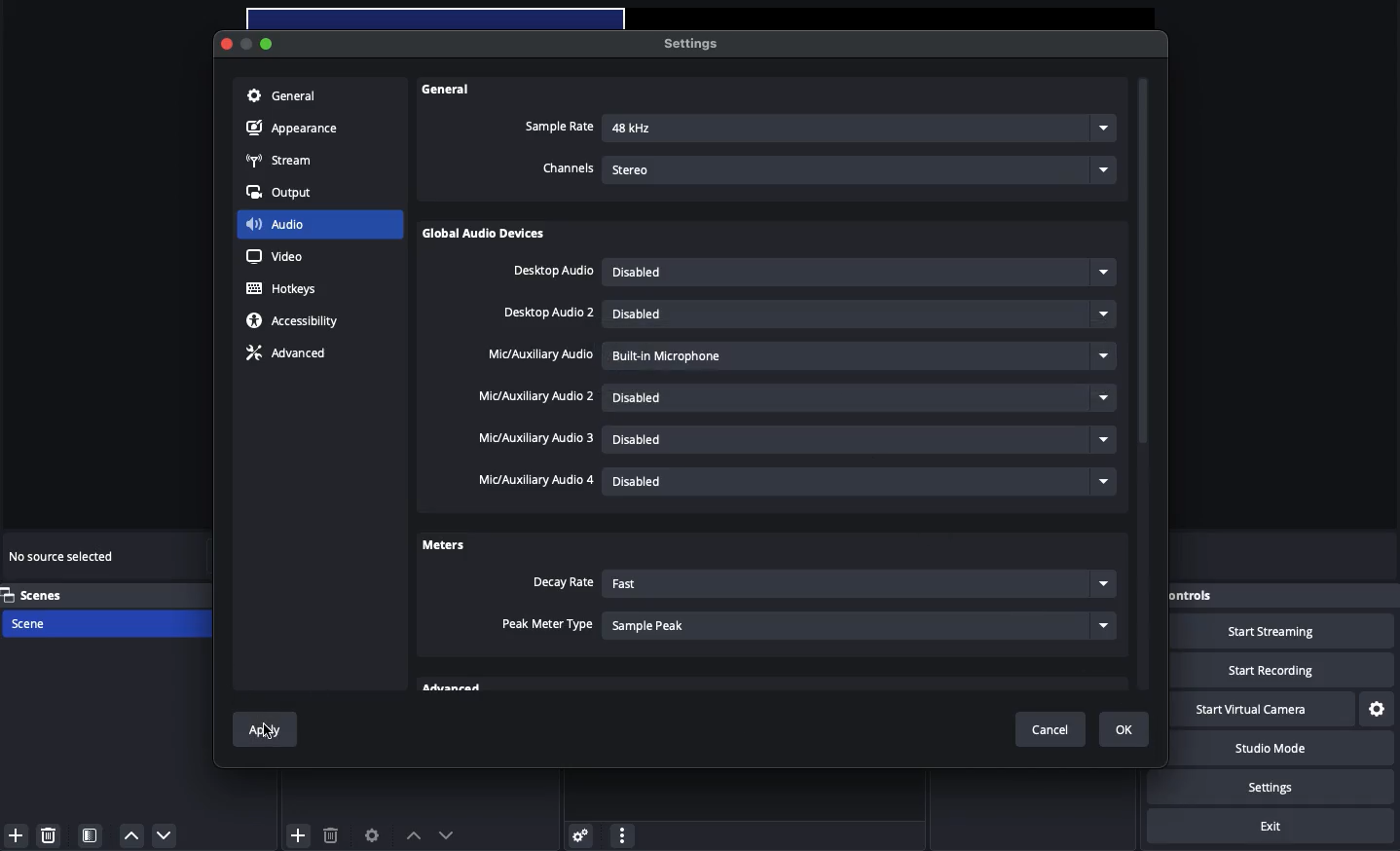 The width and height of the screenshot is (1400, 851). What do you see at coordinates (1220, 596) in the screenshot?
I see `Controls` at bounding box center [1220, 596].